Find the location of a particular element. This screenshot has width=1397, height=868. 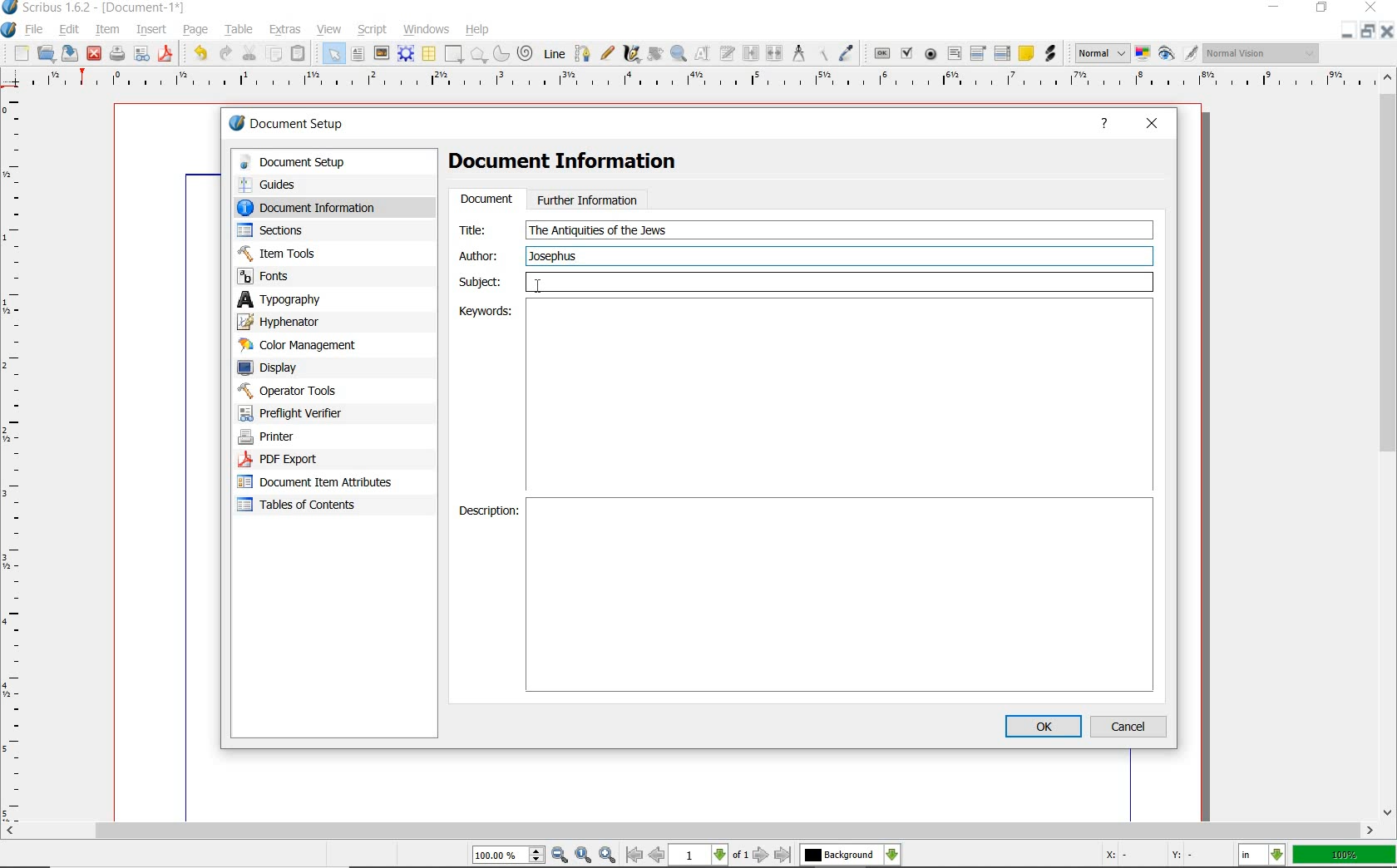

color management is located at coordinates (301, 345).